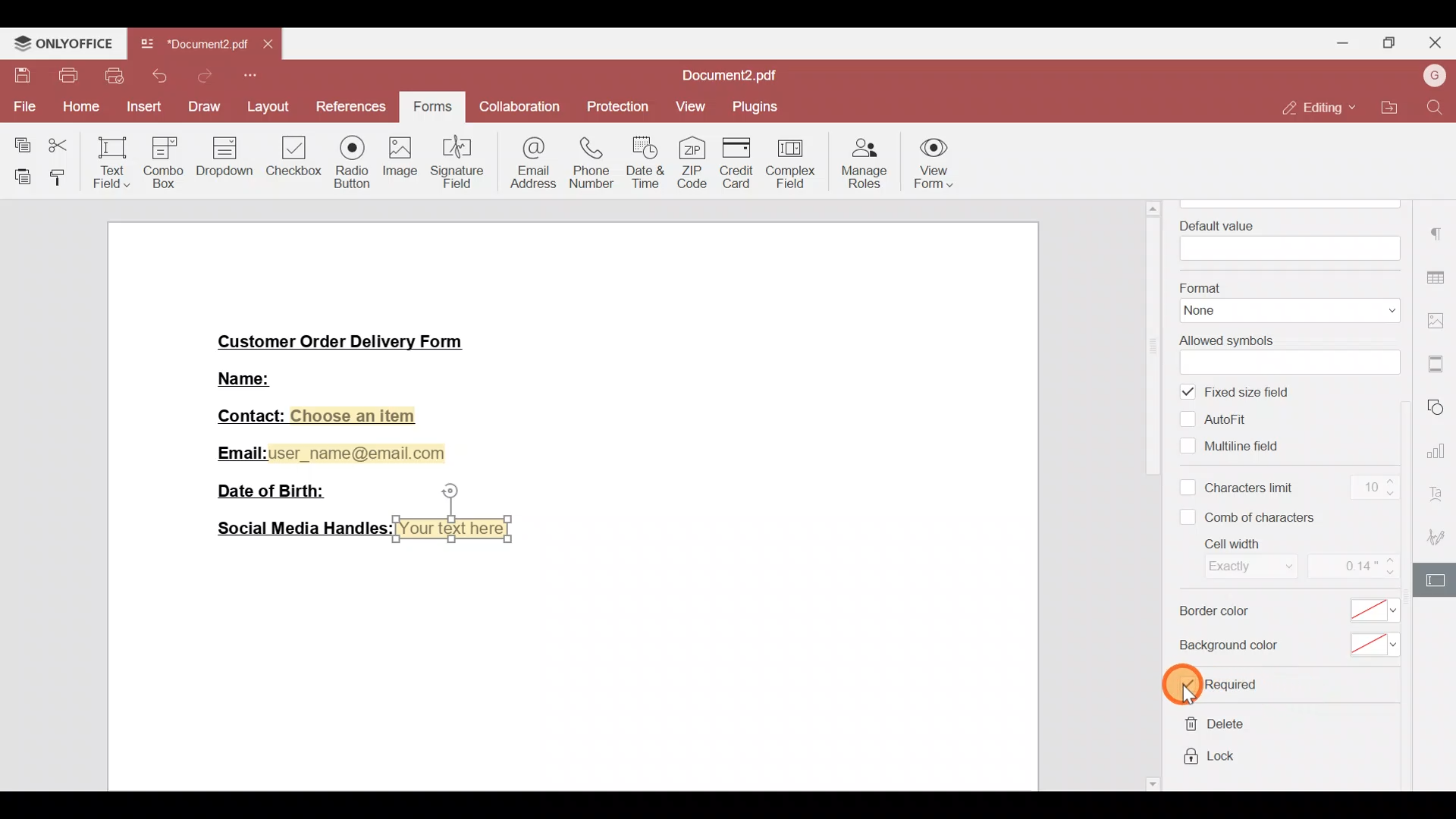 This screenshot has height=819, width=1456. Describe the element at coordinates (521, 108) in the screenshot. I see `Collaboration` at that location.